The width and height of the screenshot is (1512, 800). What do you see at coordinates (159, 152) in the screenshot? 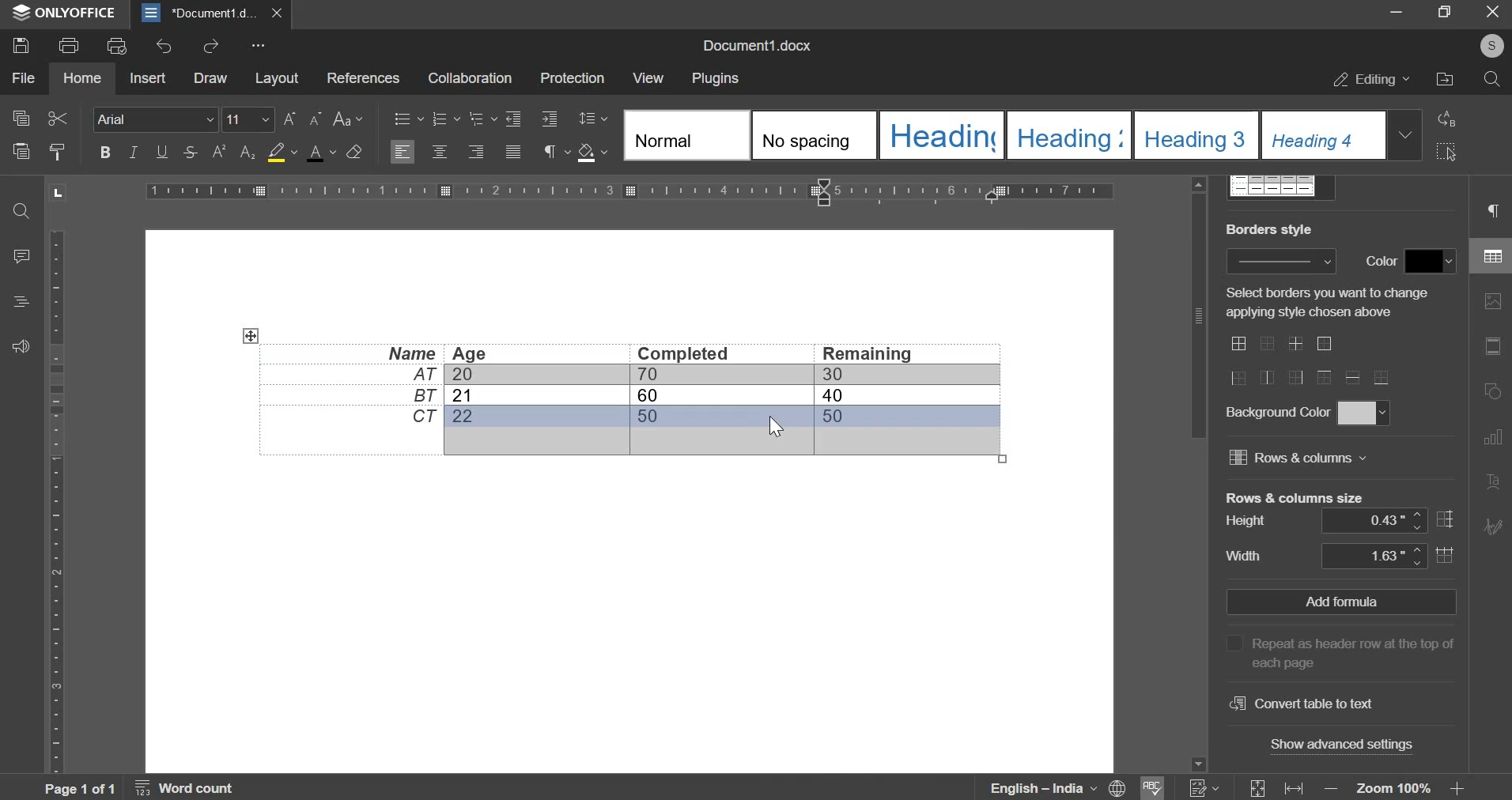
I see `underline` at bounding box center [159, 152].